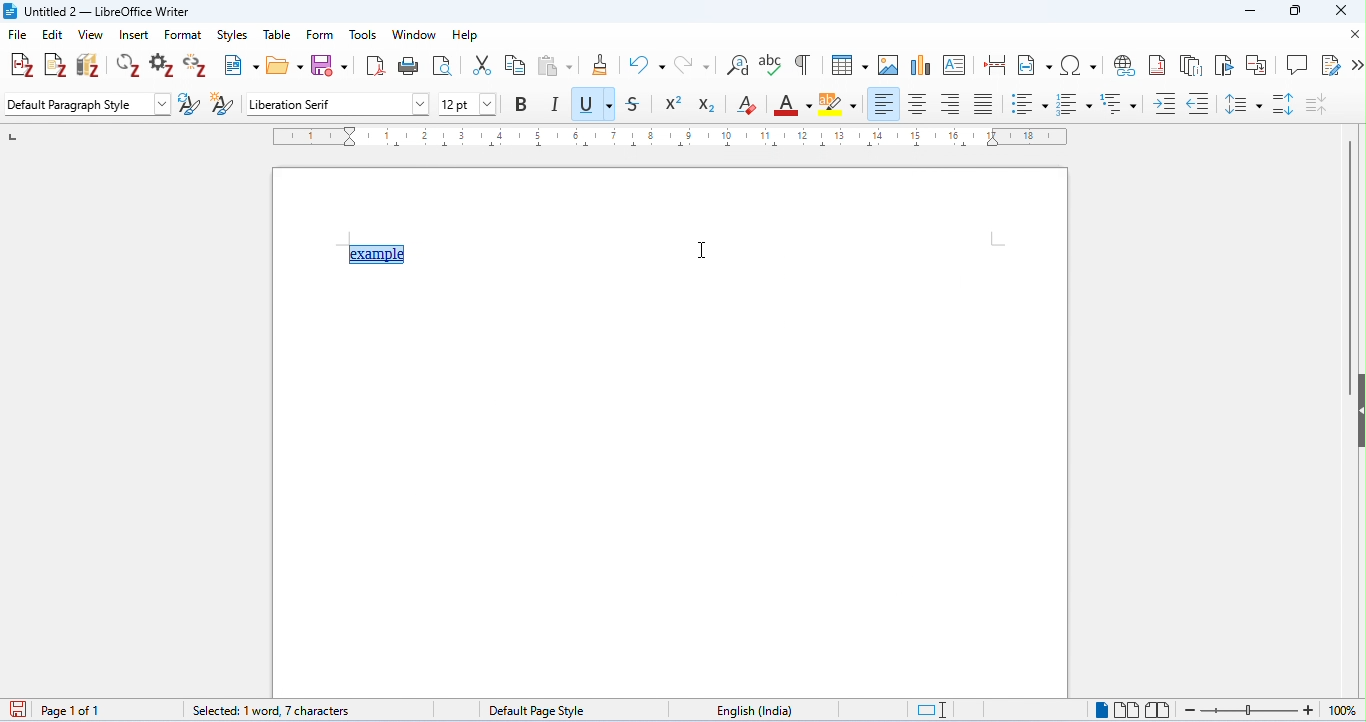 Image resolution: width=1366 pixels, height=722 pixels. What do you see at coordinates (414, 35) in the screenshot?
I see `window` at bounding box center [414, 35].